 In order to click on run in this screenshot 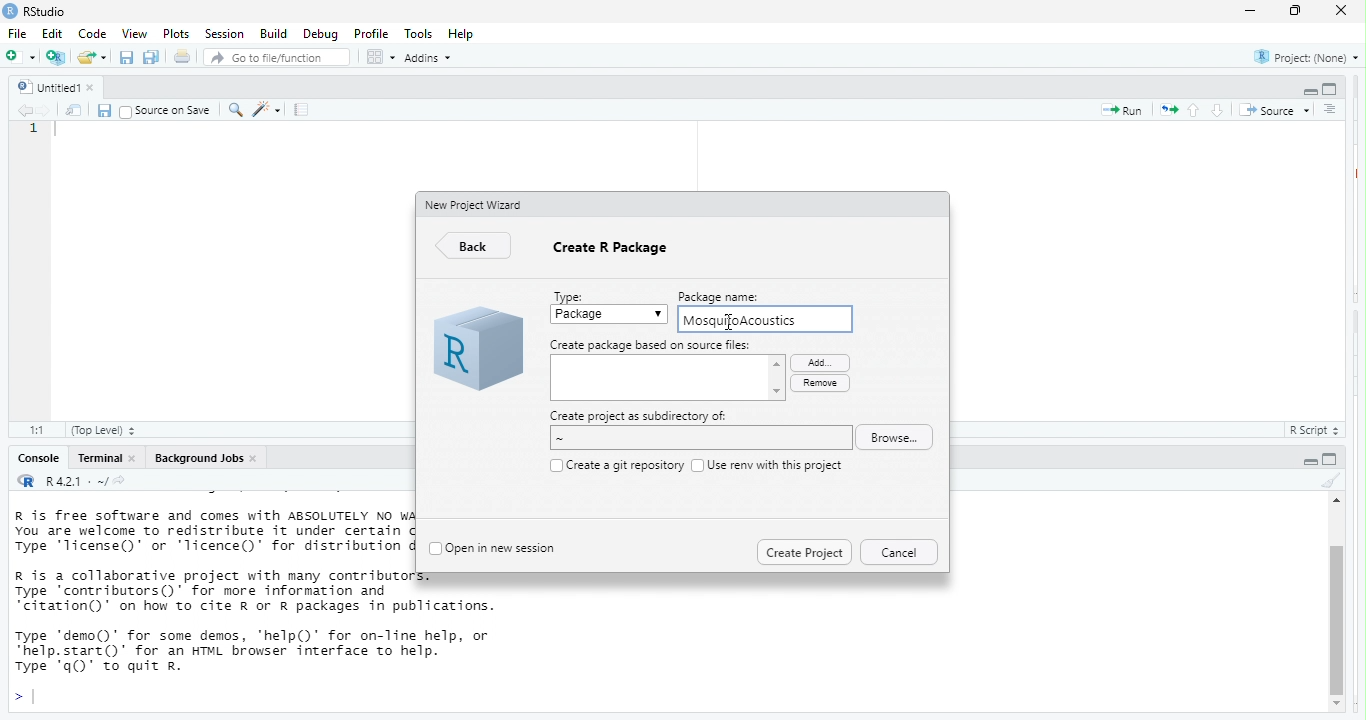, I will do `click(1118, 112)`.